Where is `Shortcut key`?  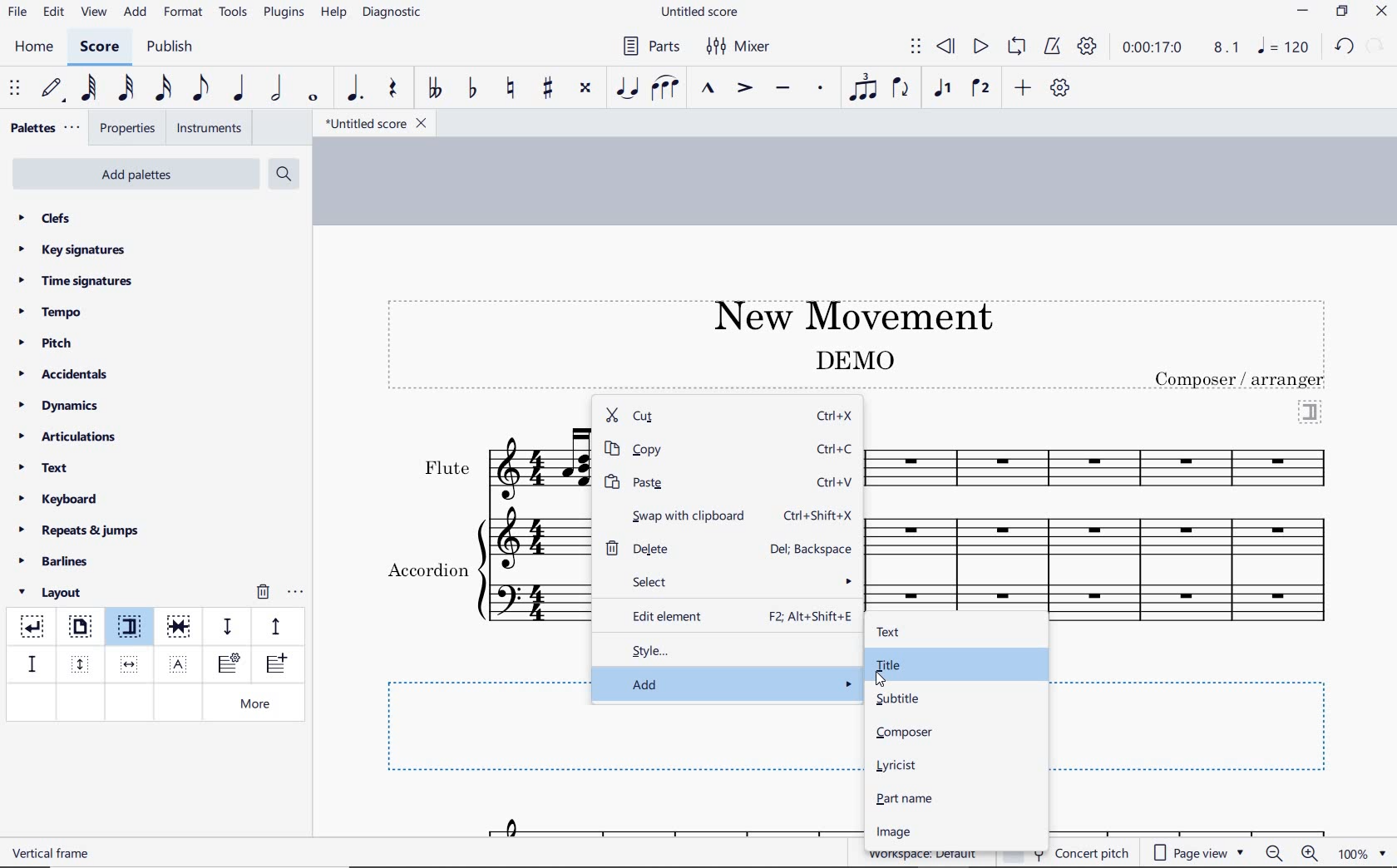
Shortcut key is located at coordinates (837, 450).